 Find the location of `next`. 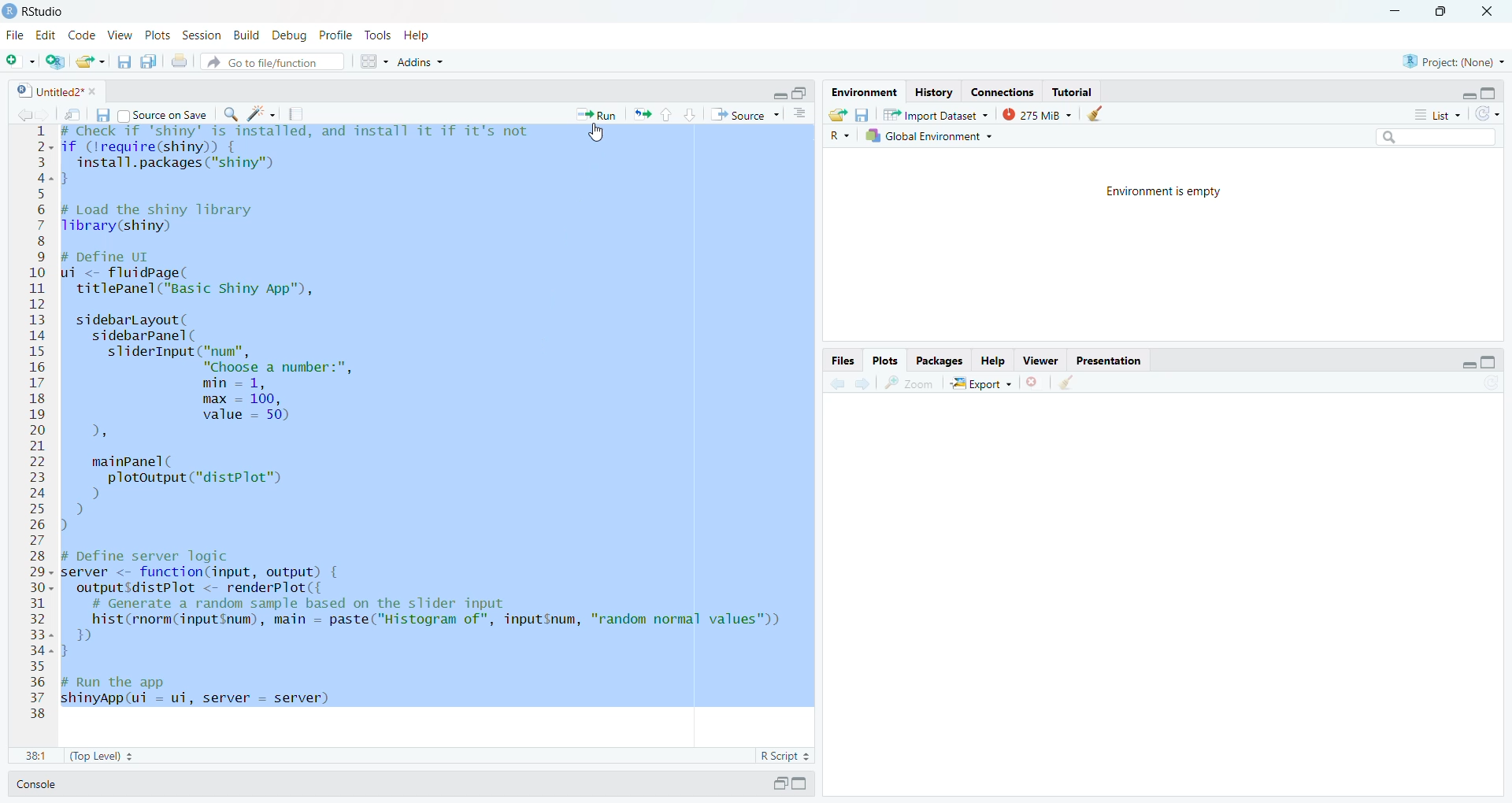

next is located at coordinates (864, 383).